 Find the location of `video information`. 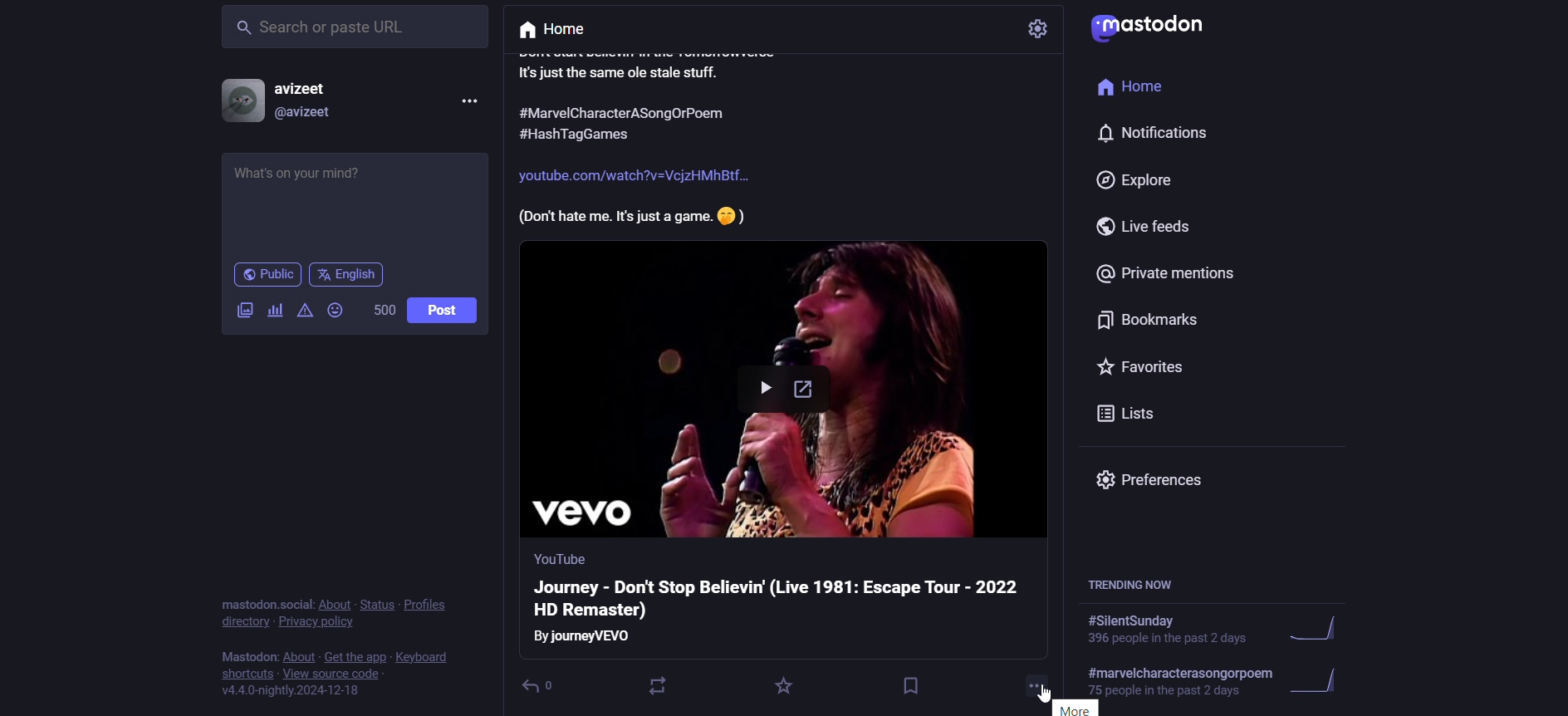

video information is located at coordinates (784, 598).